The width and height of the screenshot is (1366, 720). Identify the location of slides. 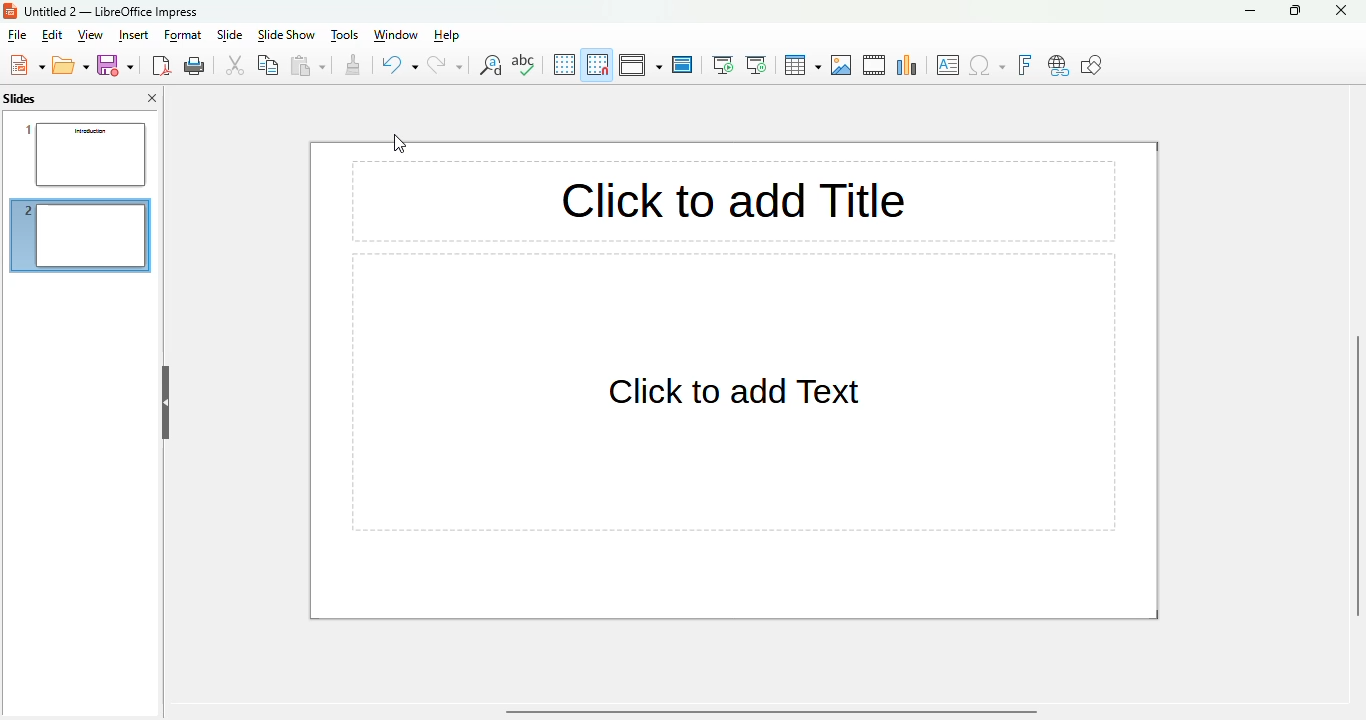
(20, 98).